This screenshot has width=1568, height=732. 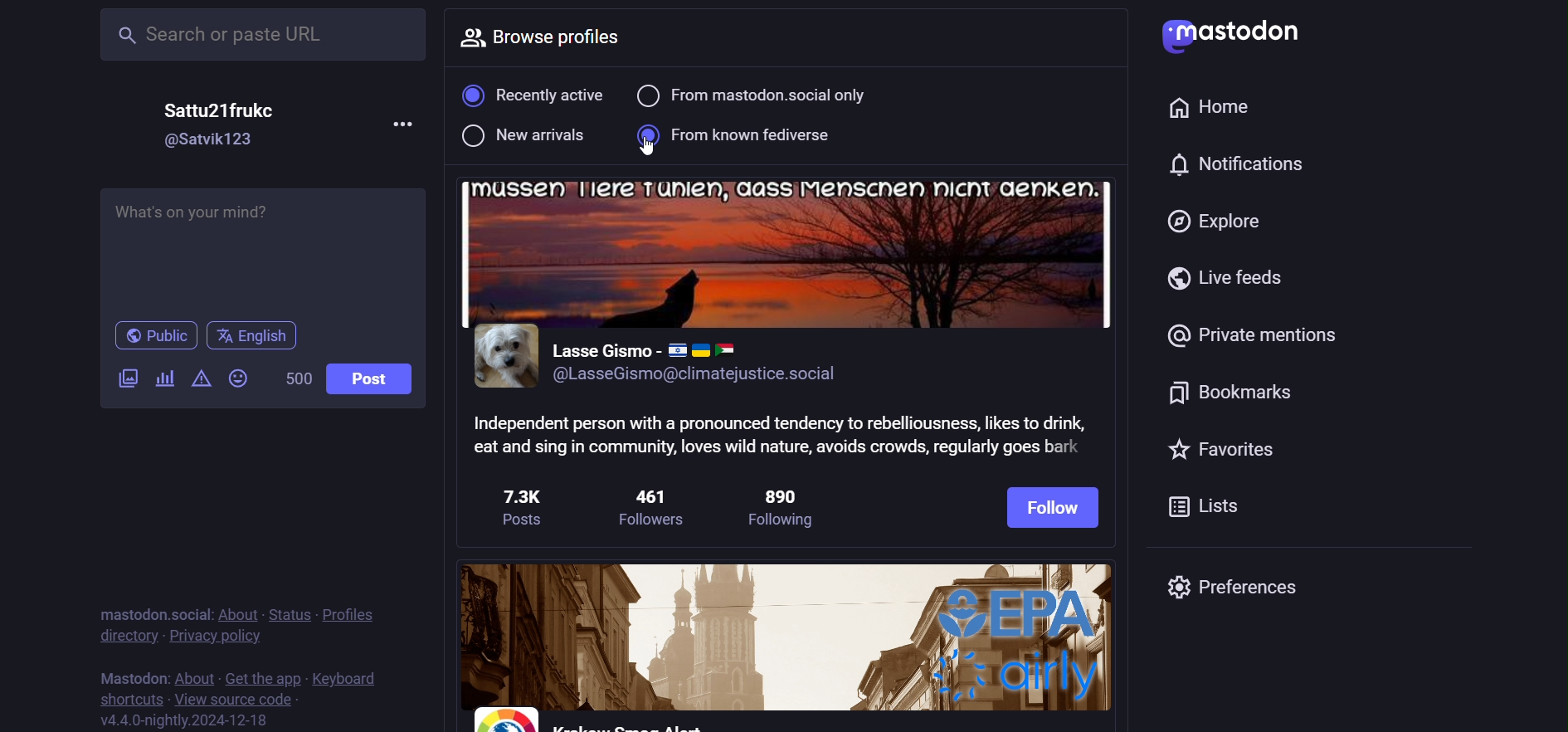 I want to click on 500, so click(x=291, y=378).